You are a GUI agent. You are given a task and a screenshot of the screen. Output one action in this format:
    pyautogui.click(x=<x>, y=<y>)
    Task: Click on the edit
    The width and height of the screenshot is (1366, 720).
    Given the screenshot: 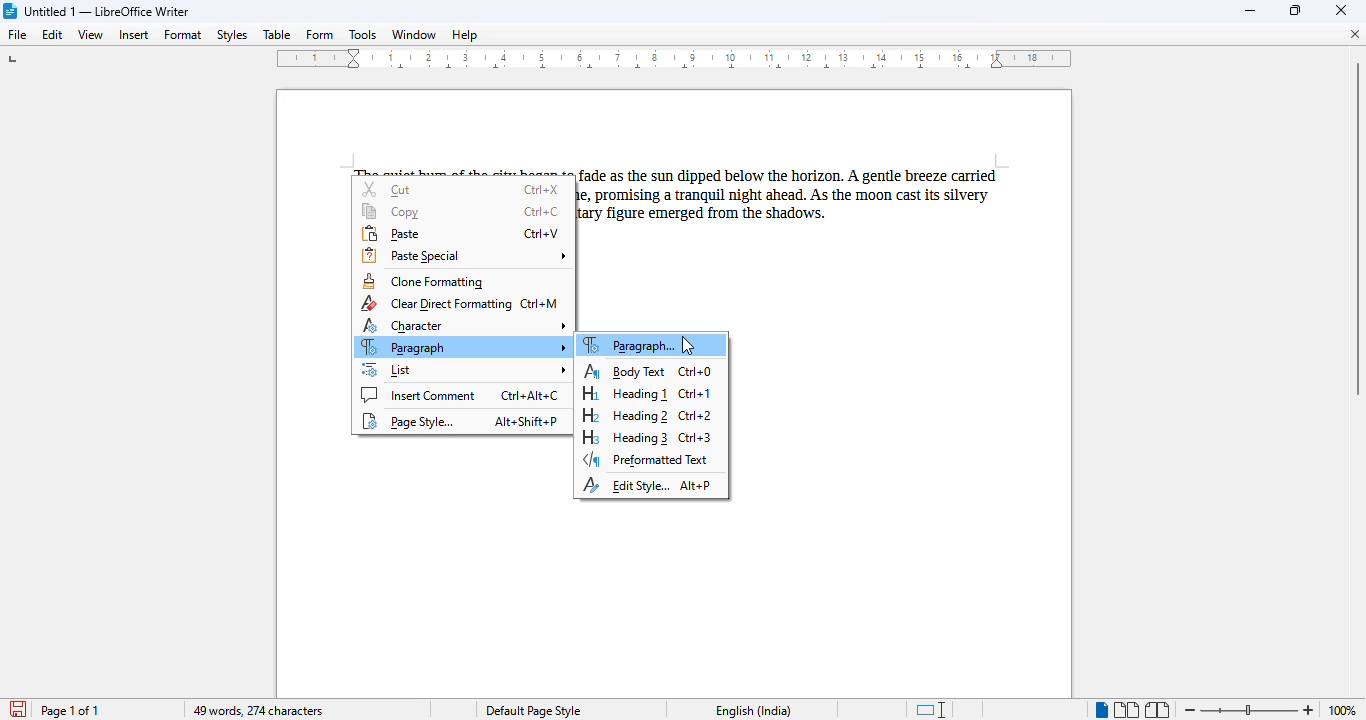 What is the action you would take?
    pyautogui.click(x=52, y=34)
    